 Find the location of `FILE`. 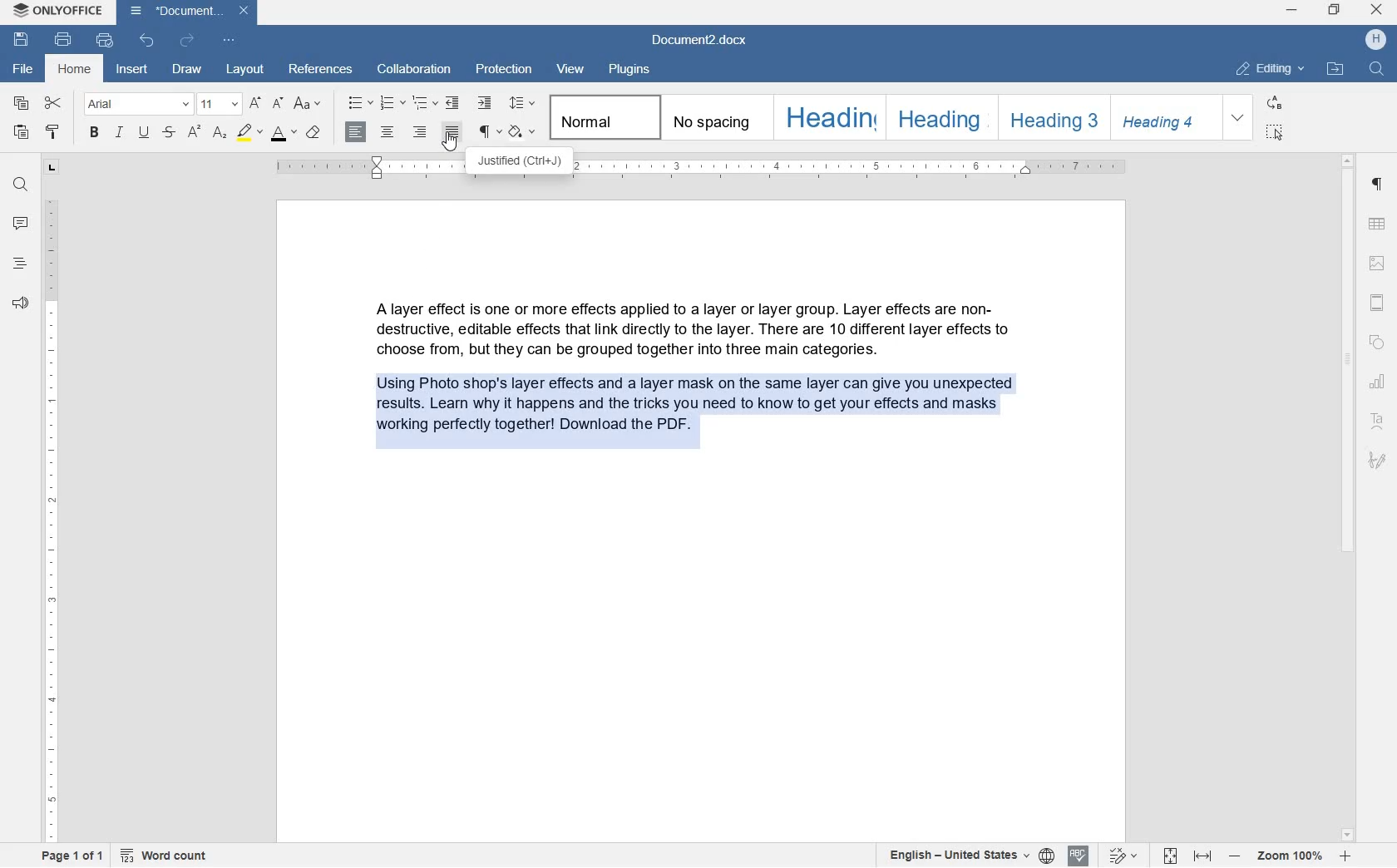

FILE is located at coordinates (21, 67).